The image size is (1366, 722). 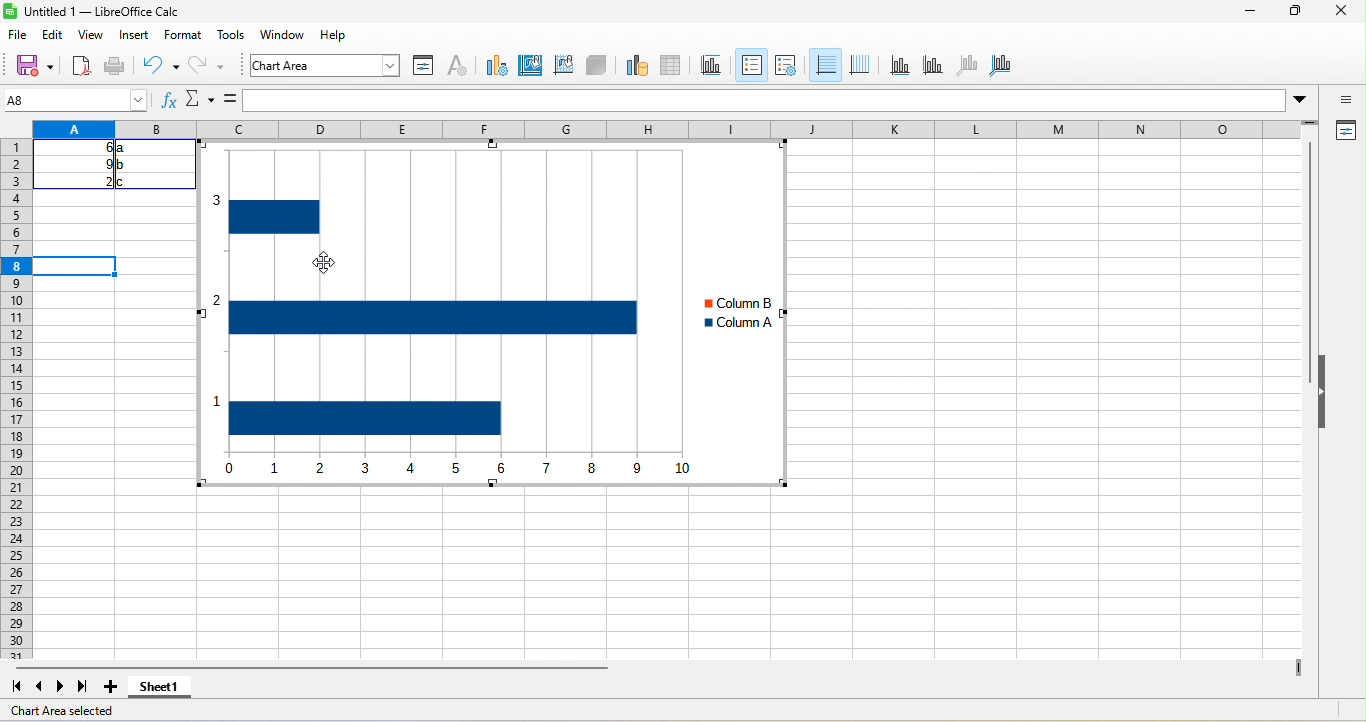 What do you see at coordinates (768, 102) in the screenshot?
I see `formular bar` at bounding box center [768, 102].